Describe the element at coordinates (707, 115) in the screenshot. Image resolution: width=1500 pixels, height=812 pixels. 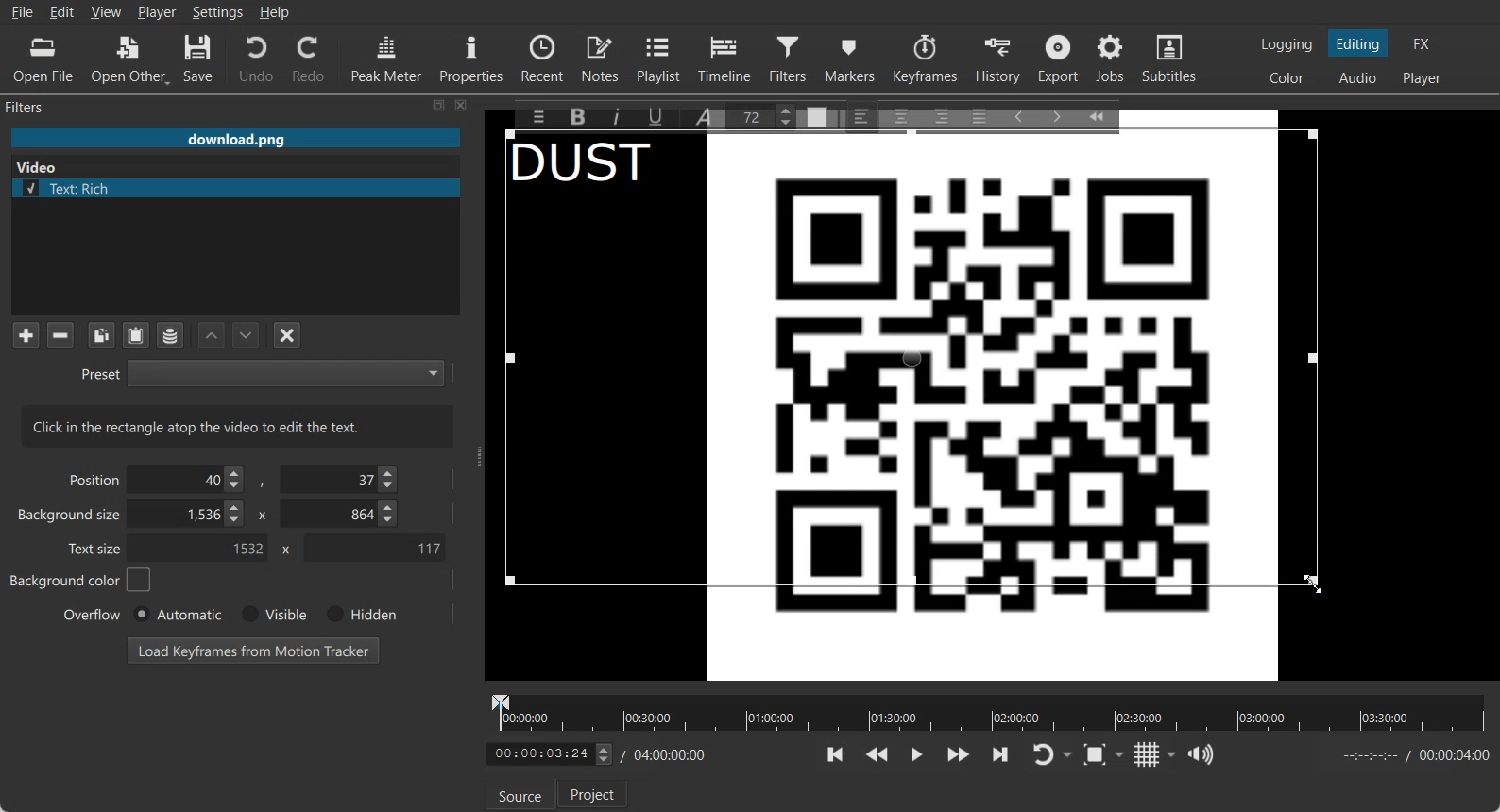
I see `Font` at that location.